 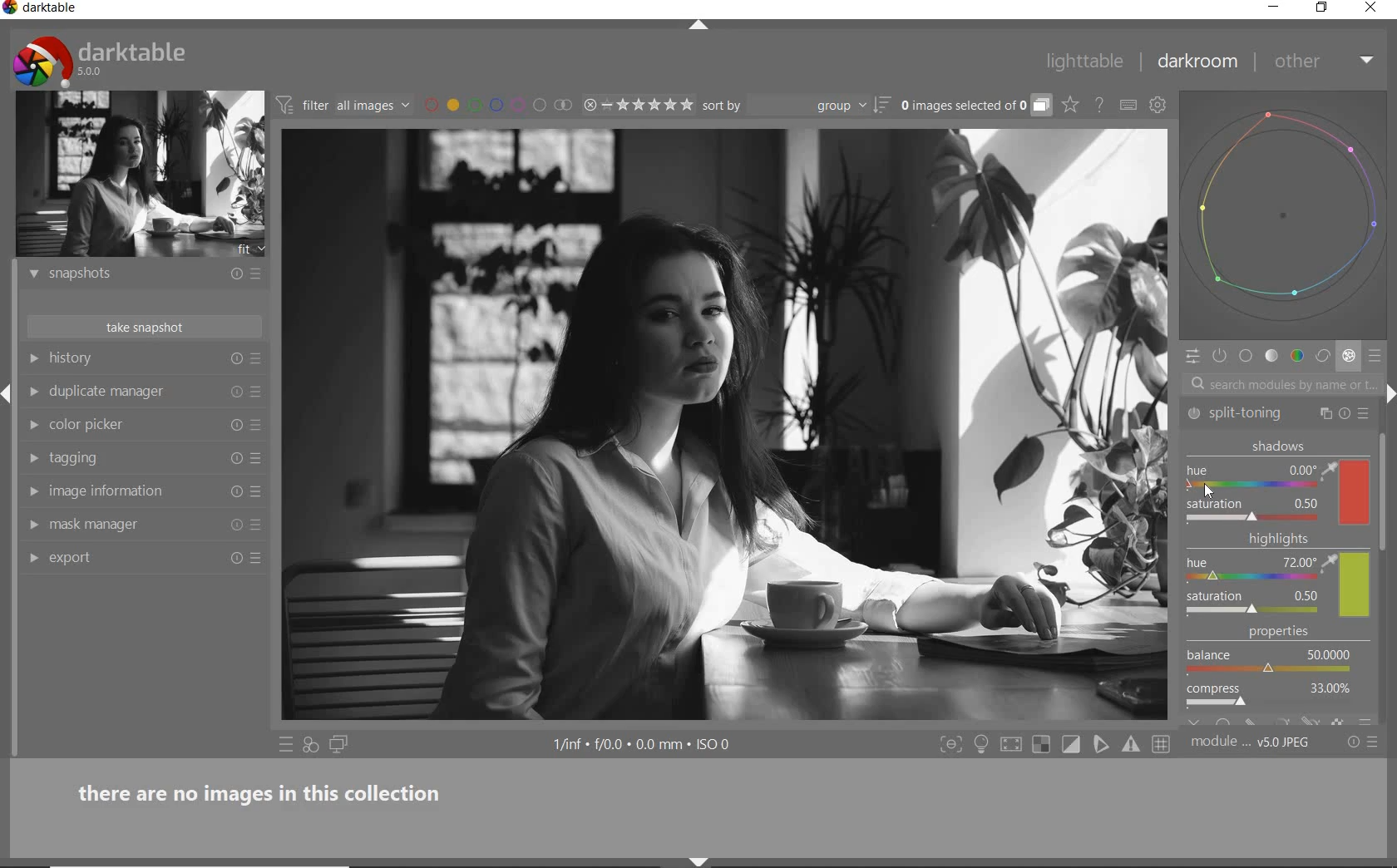 What do you see at coordinates (983, 744) in the screenshot?
I see `ctrl+b` at bounding box center [983, 744].